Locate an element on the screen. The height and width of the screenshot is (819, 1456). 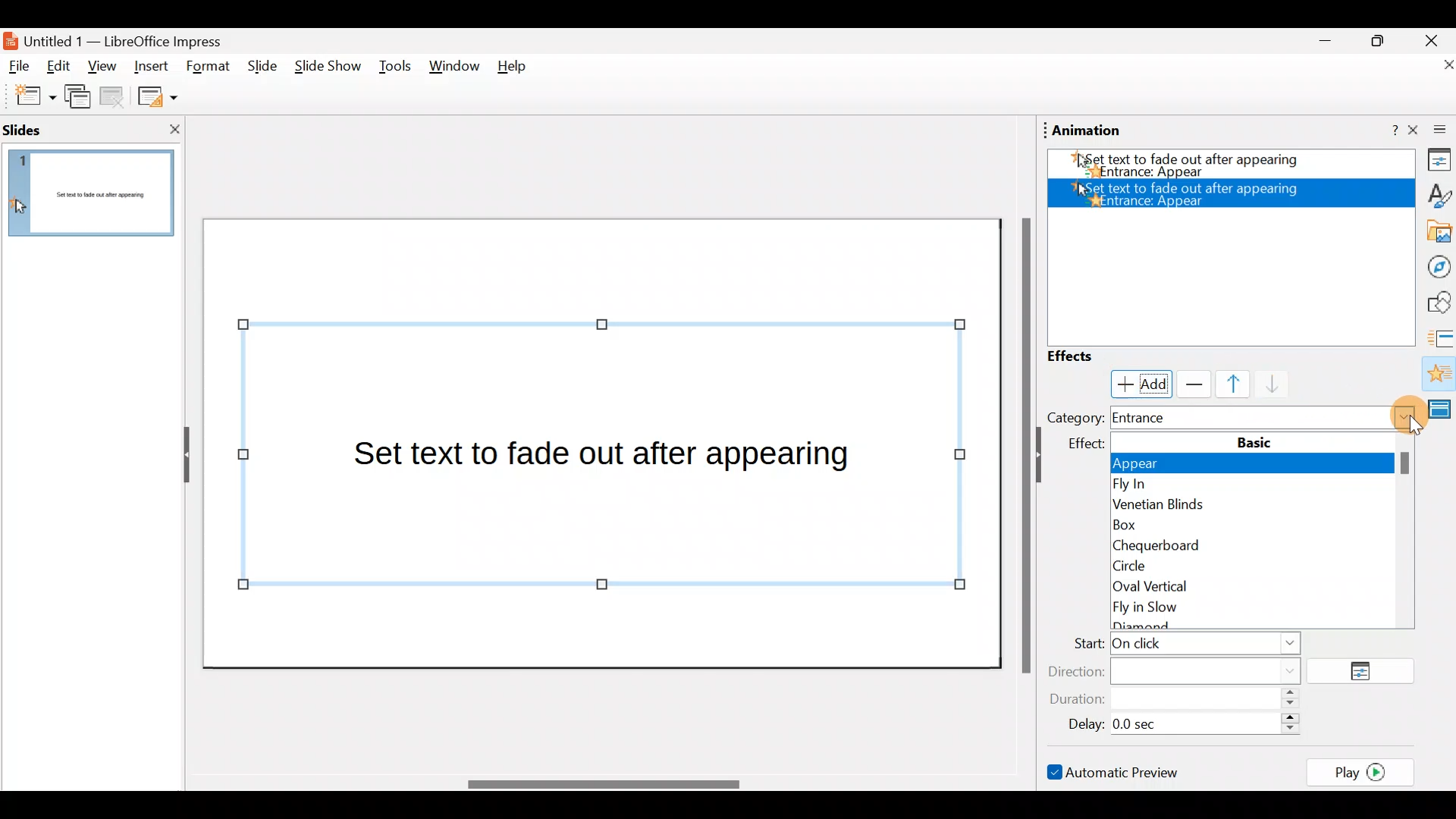
Basic is located at coordinates (1255, 441).